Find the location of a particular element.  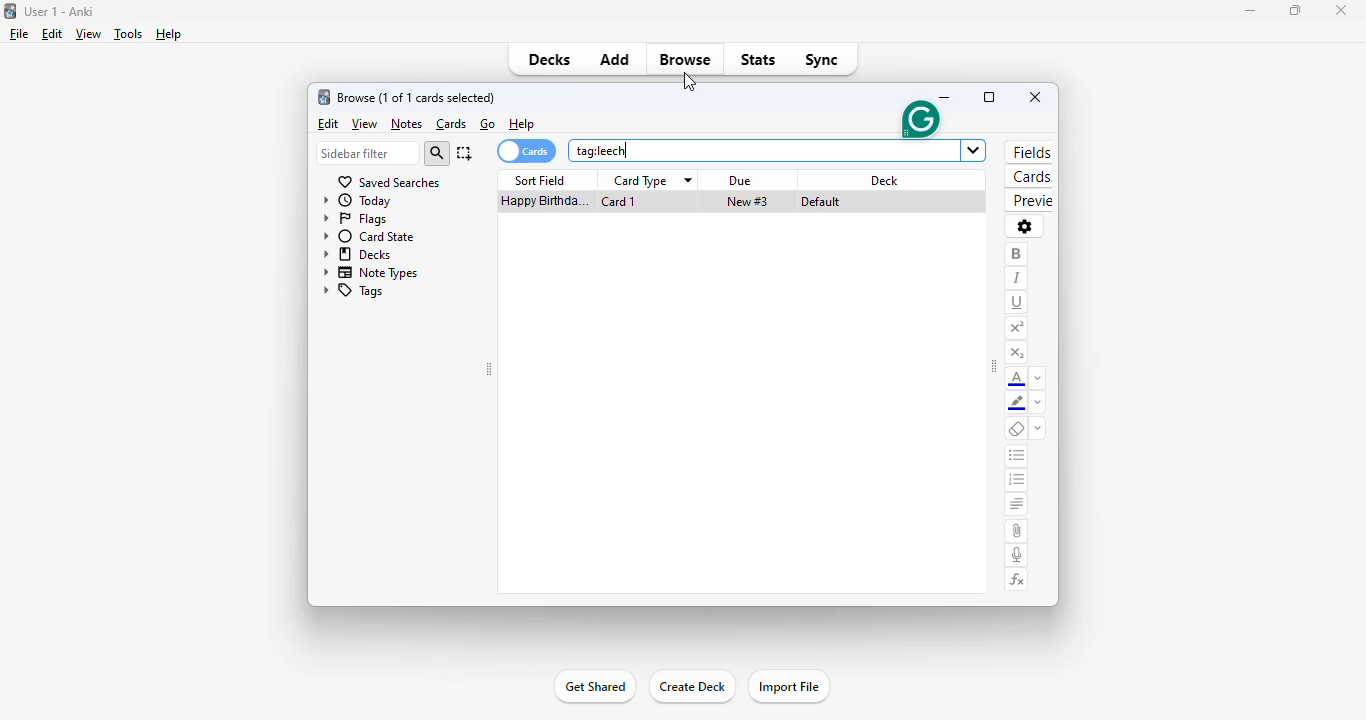

maximize is located at coordinates (989, 97).